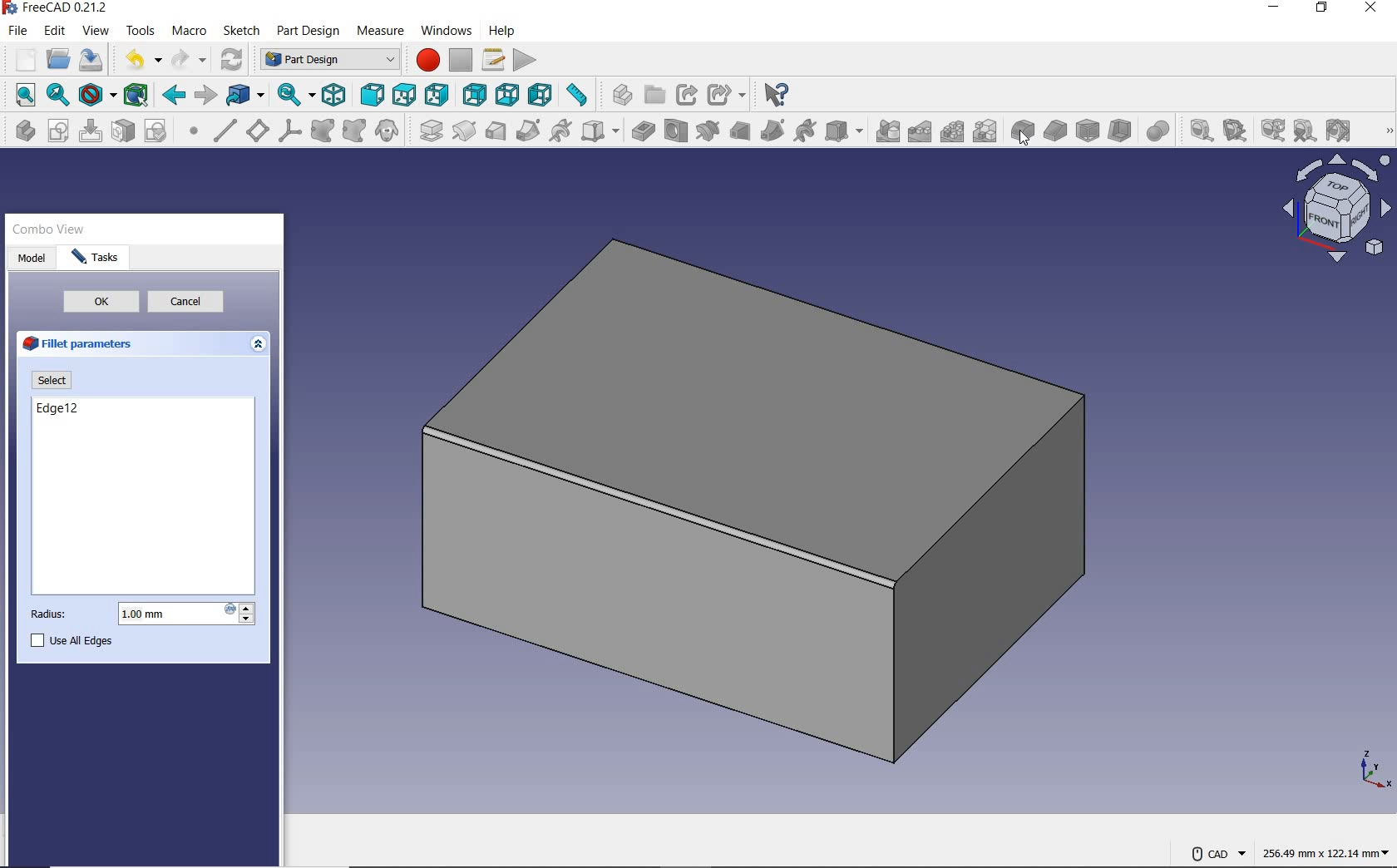 The height and width of the screenshot is (868, 1397). I want to click on create sketch, so click(57, 131).